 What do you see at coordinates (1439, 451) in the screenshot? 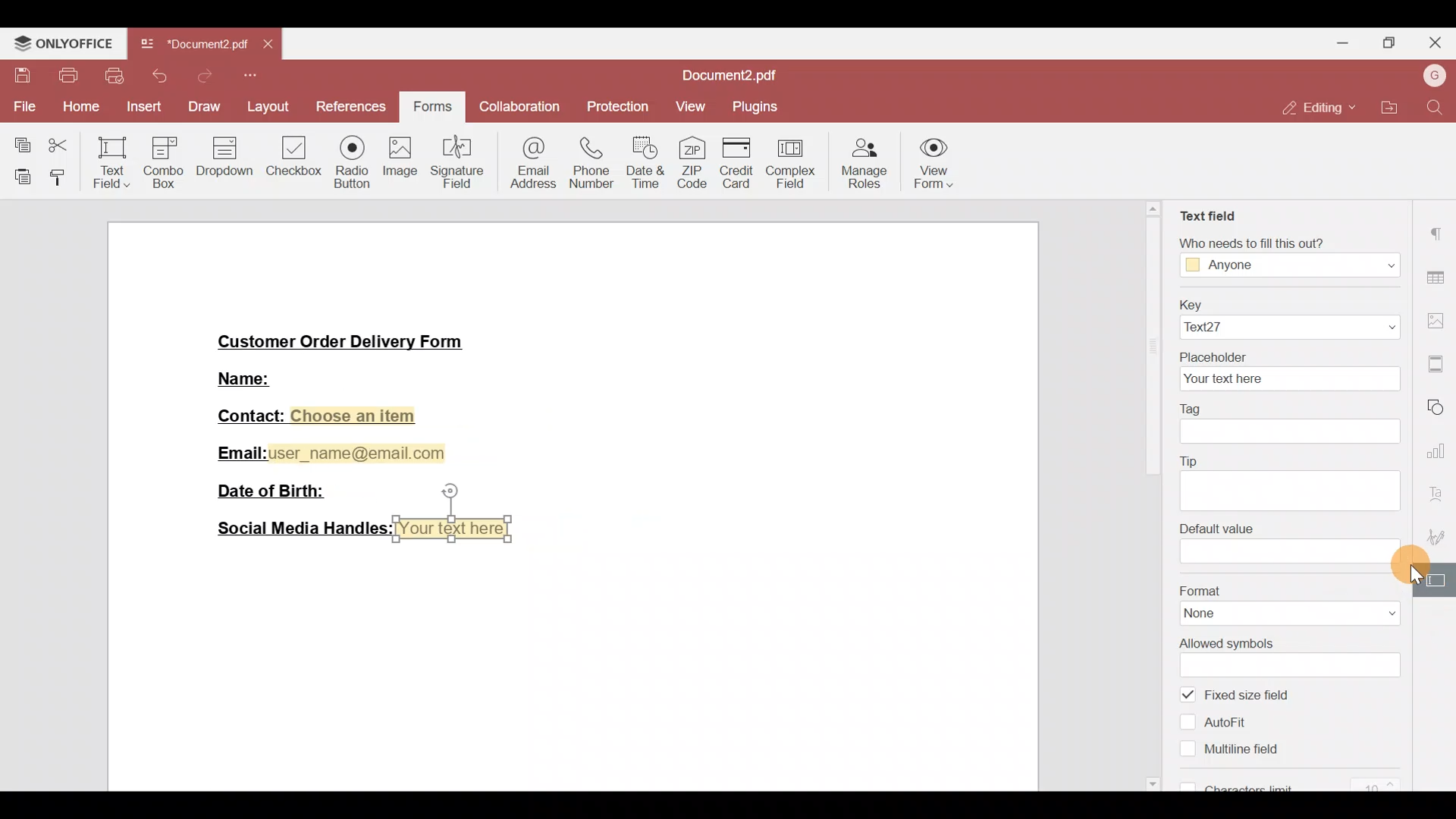
I see `Chart settings` at bounding box center [1439, 451].